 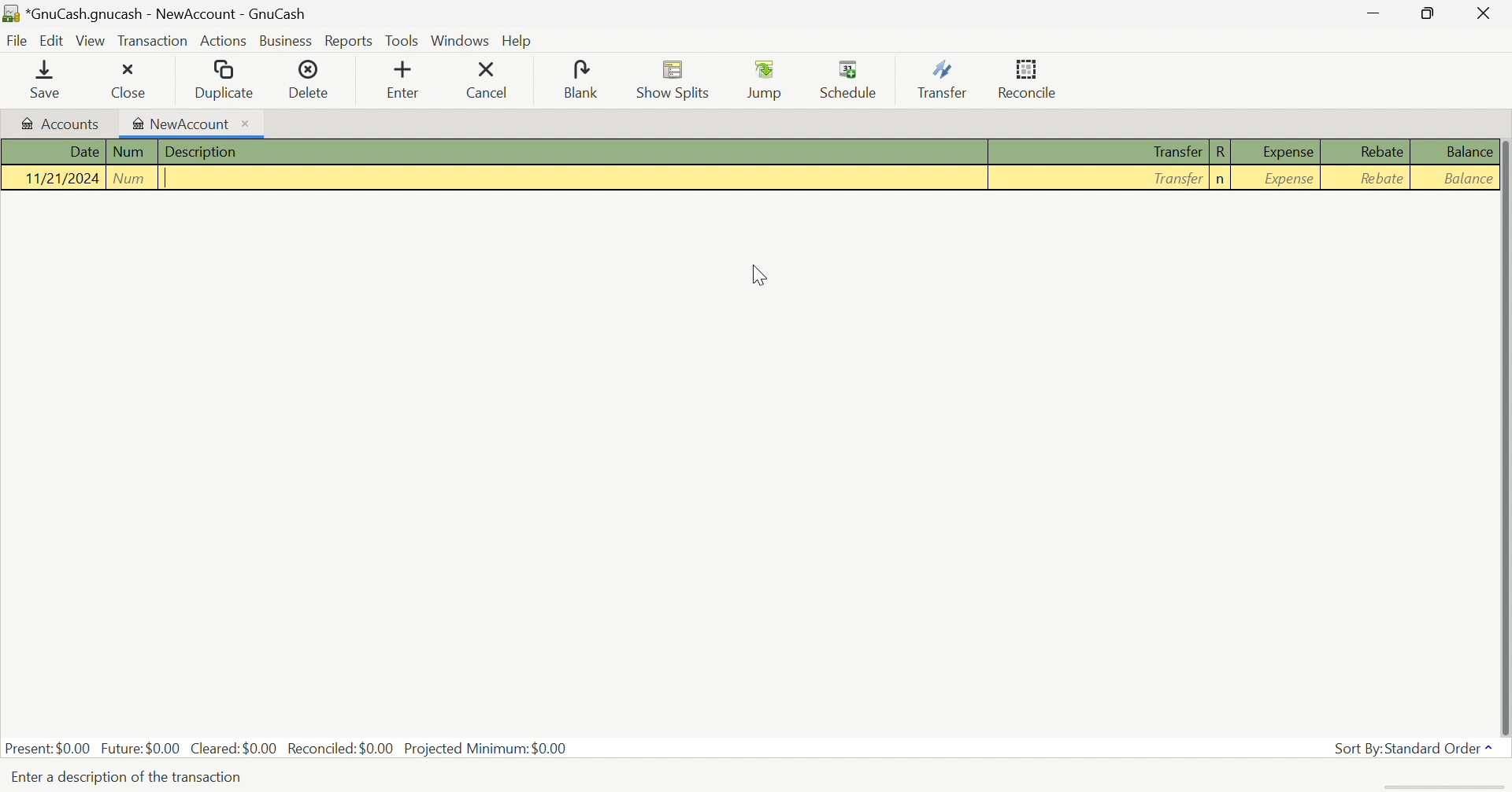 What do you see at coordinates (49, 749) in the screenshot?
I see `Present: $100.00` at bounding box center [49, 749].